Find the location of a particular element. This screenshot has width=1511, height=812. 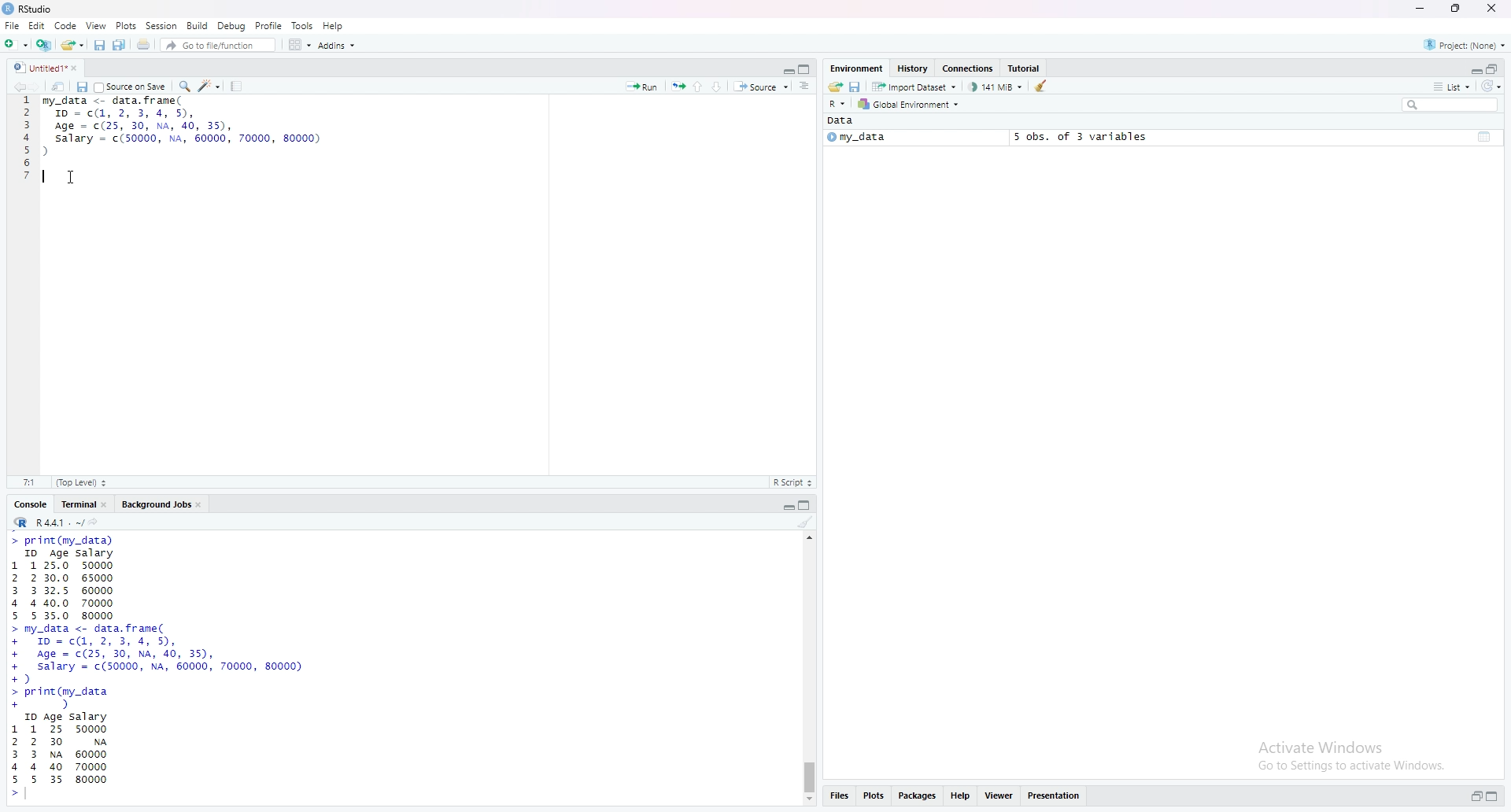

compile reports is located at coordinates (238, 86).